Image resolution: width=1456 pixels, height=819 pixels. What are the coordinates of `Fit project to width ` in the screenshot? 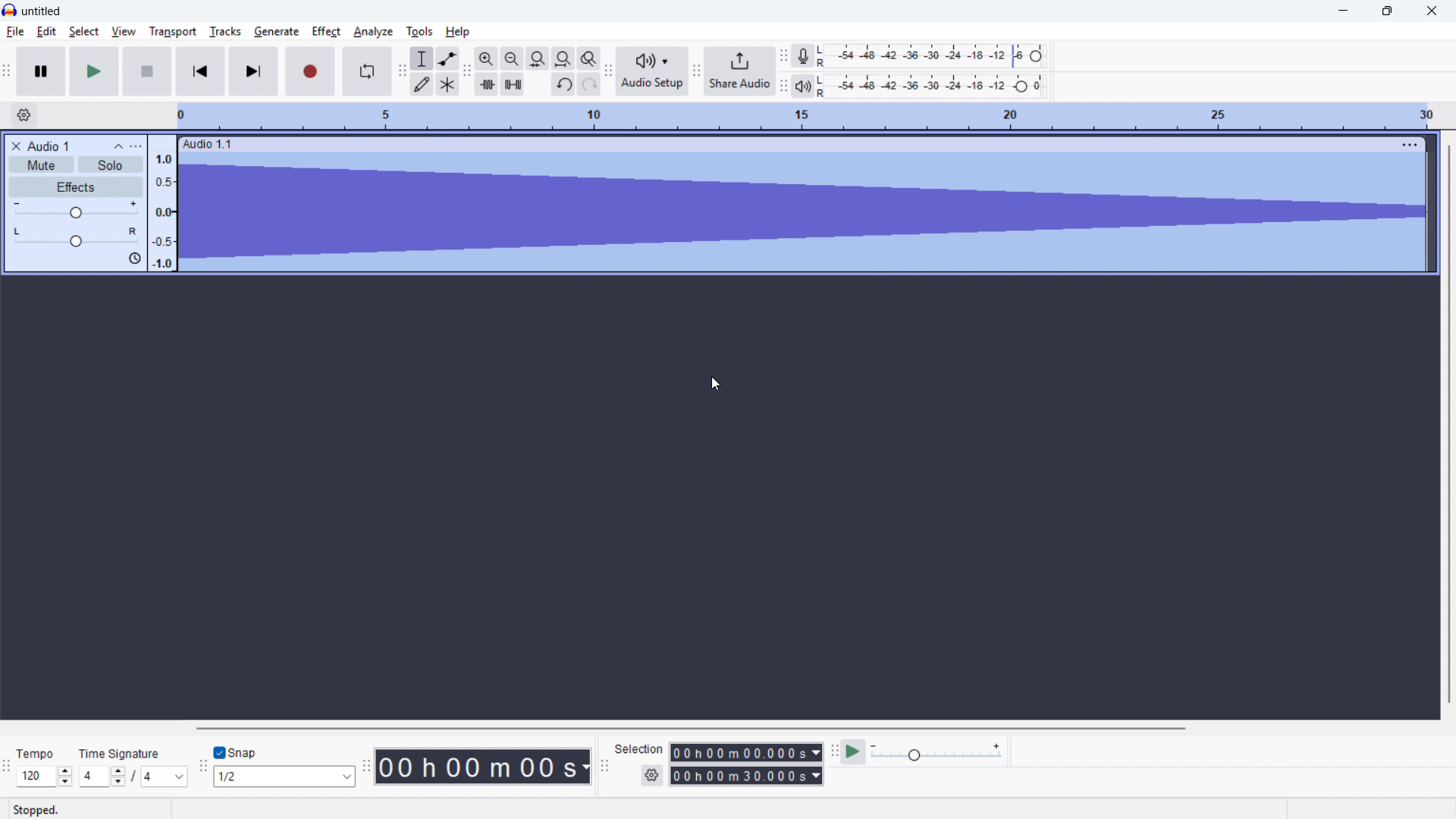 It's located at (564, 58).